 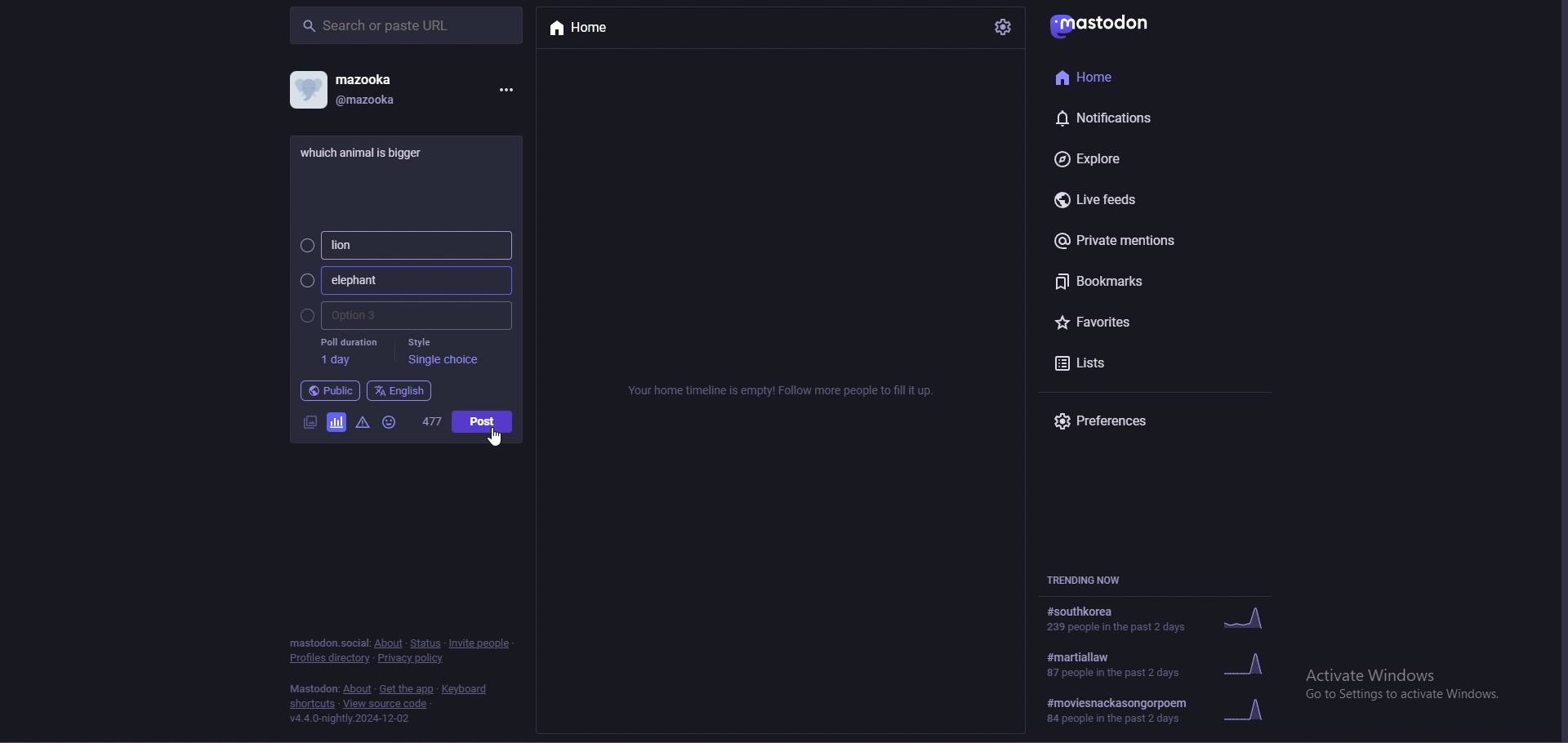 I want to click on image, so click(x=308, y=421).